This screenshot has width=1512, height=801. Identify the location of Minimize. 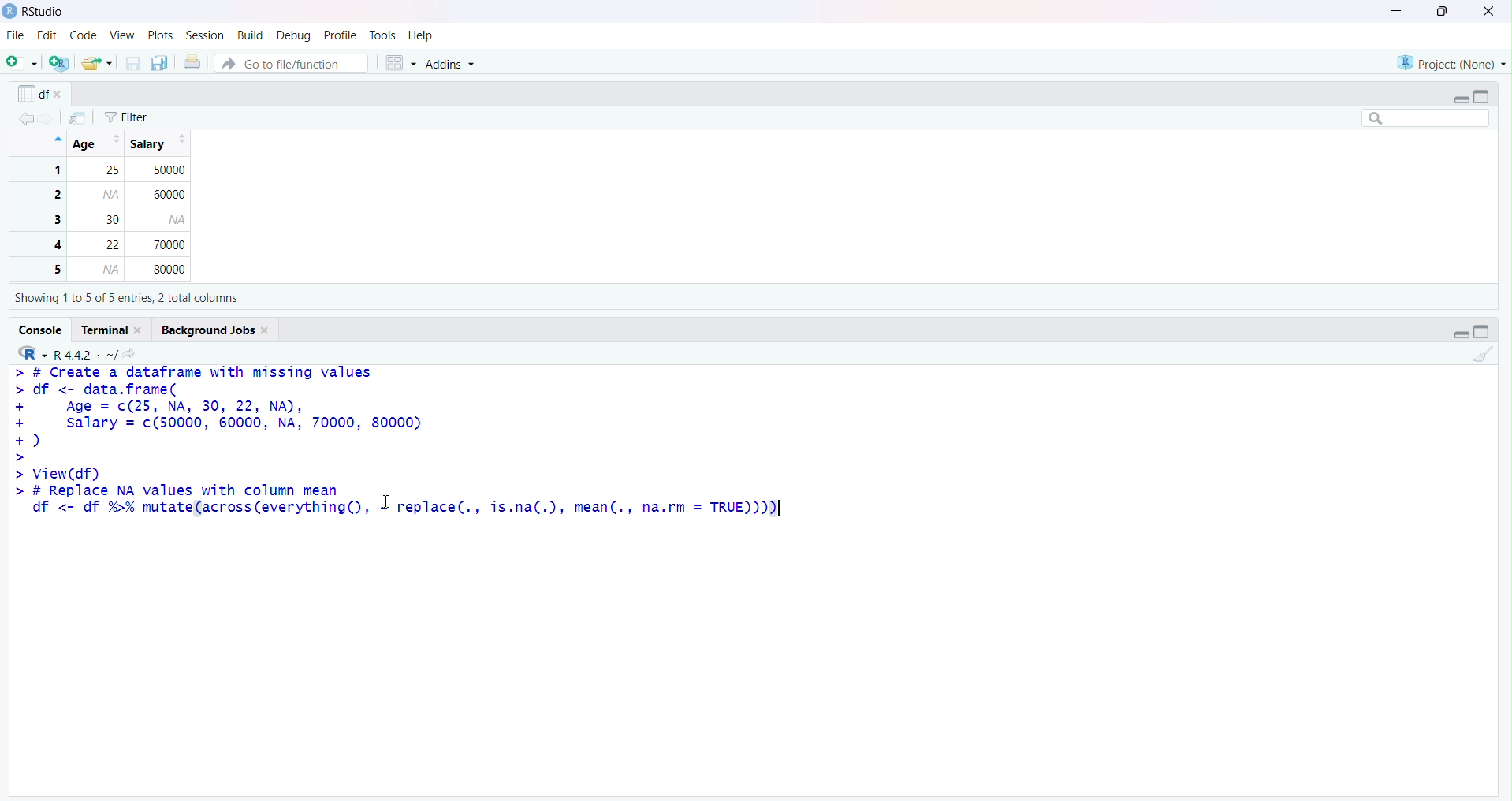
(1395, 10).